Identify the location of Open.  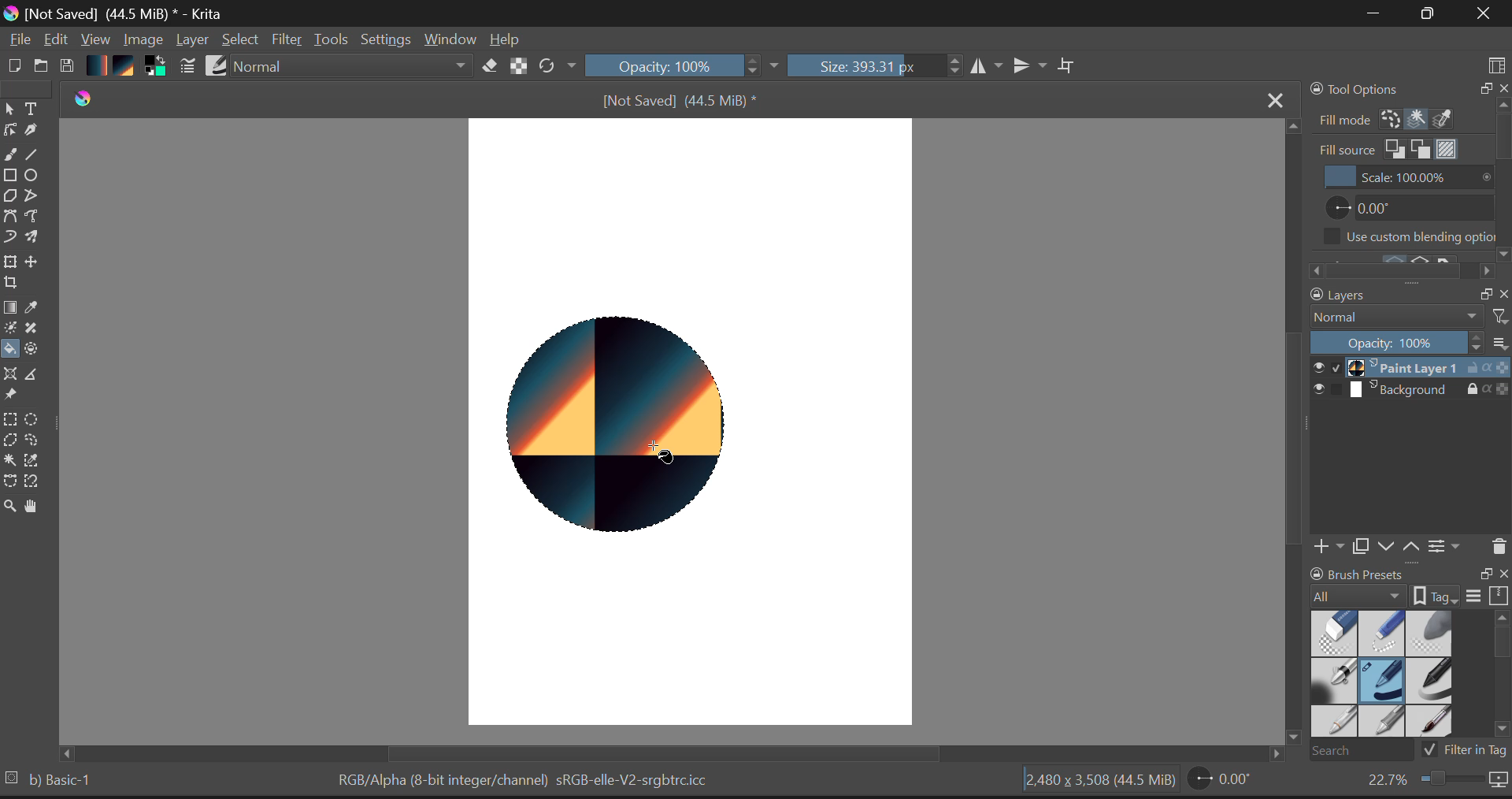
(42, 63).